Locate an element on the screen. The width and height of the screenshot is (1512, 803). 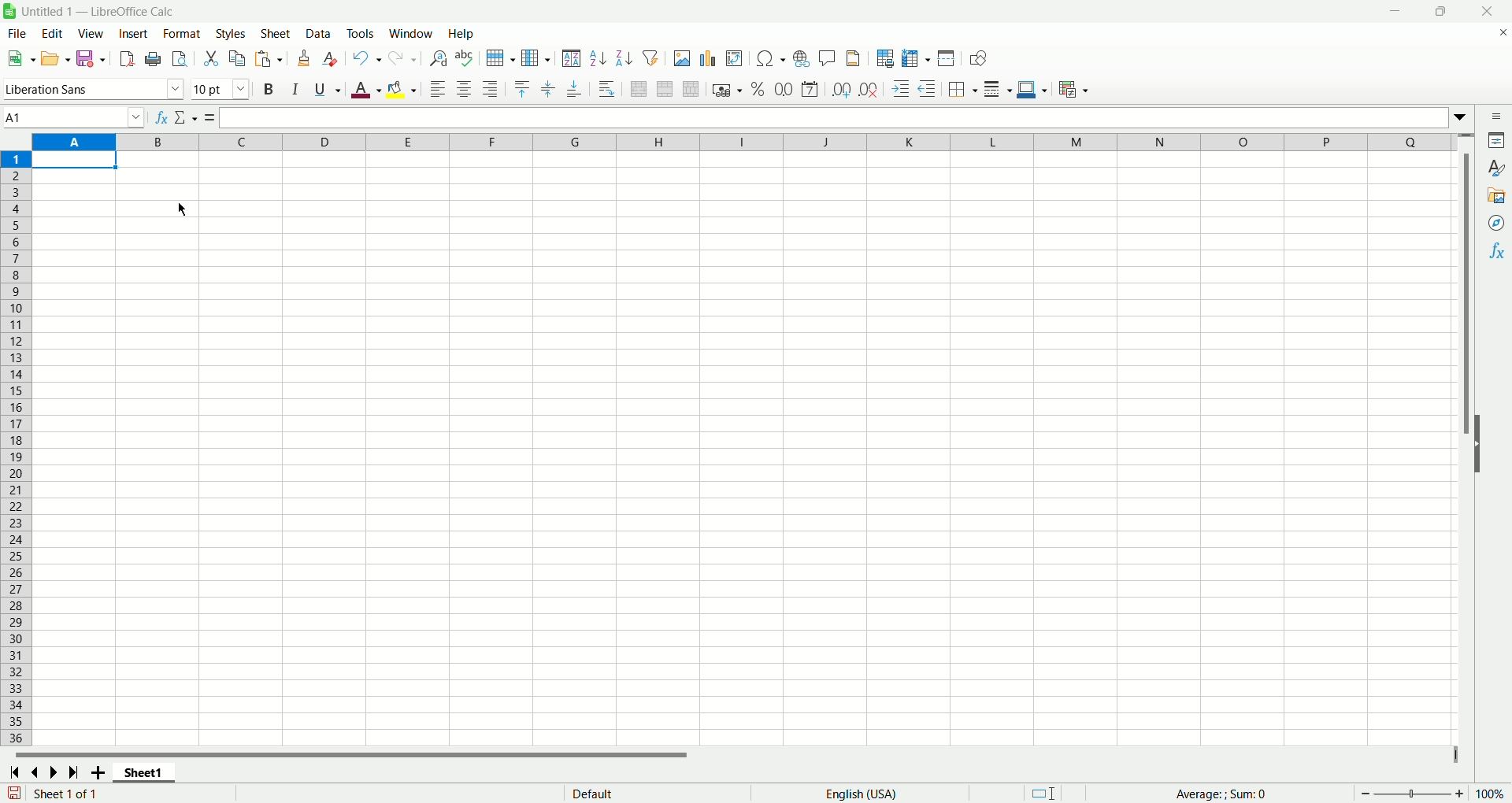
icon is located at coordinates (13, 13).